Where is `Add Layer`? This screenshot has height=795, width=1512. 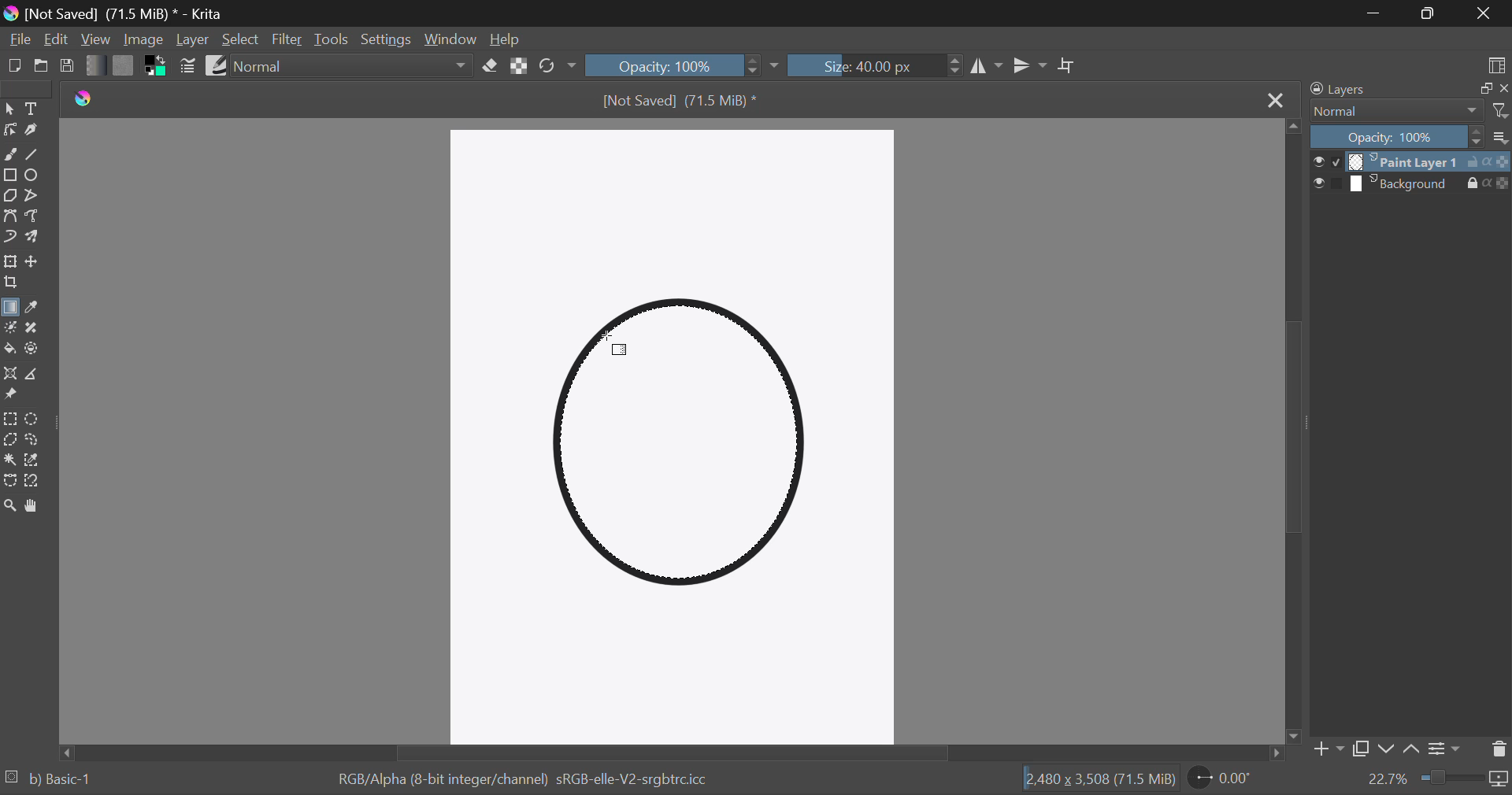
Add Layer is located at coordinates (1328, 750).